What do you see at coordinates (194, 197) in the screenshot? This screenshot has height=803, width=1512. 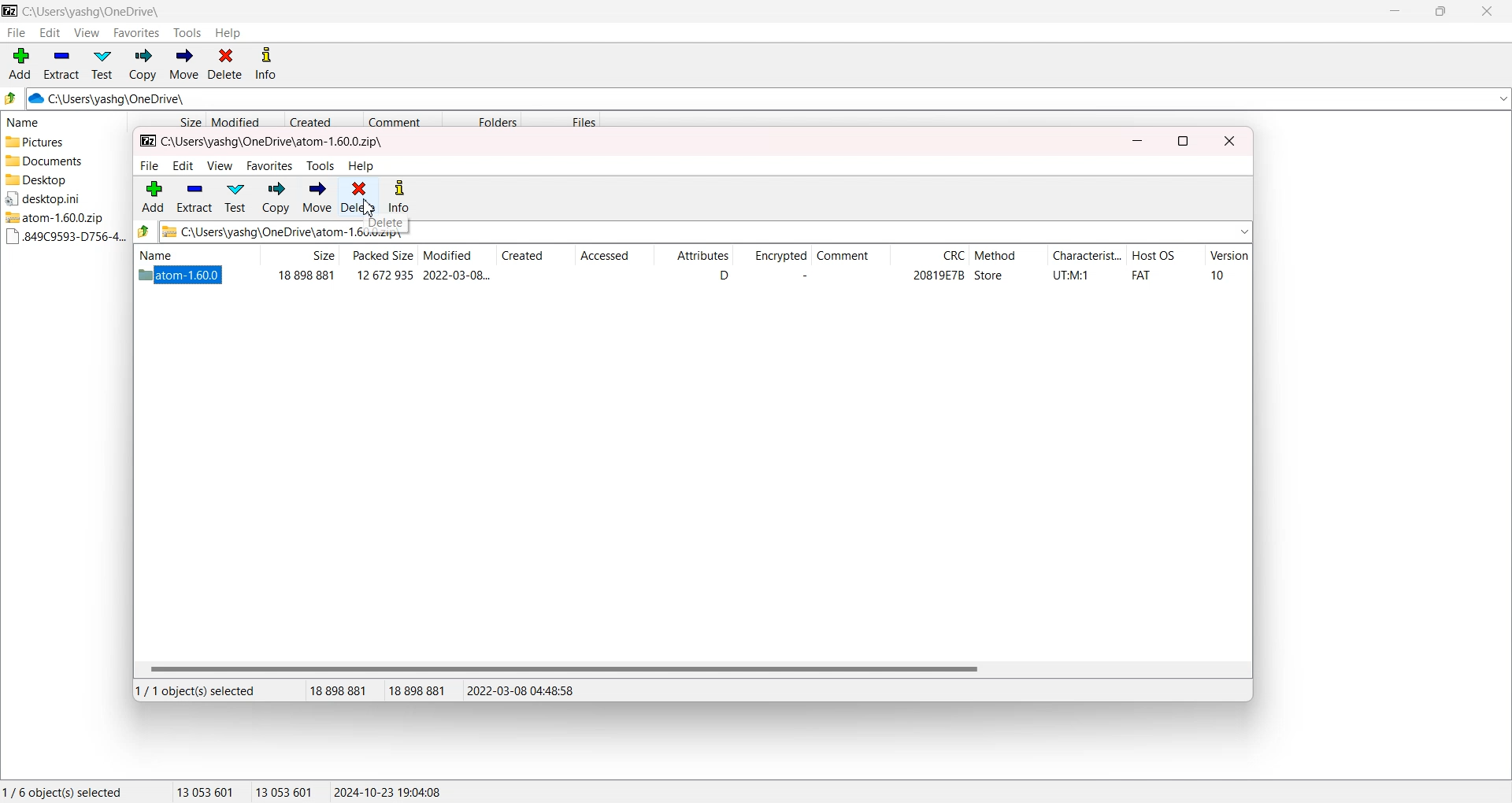 I see `extract` at bounding box center [194, 197].